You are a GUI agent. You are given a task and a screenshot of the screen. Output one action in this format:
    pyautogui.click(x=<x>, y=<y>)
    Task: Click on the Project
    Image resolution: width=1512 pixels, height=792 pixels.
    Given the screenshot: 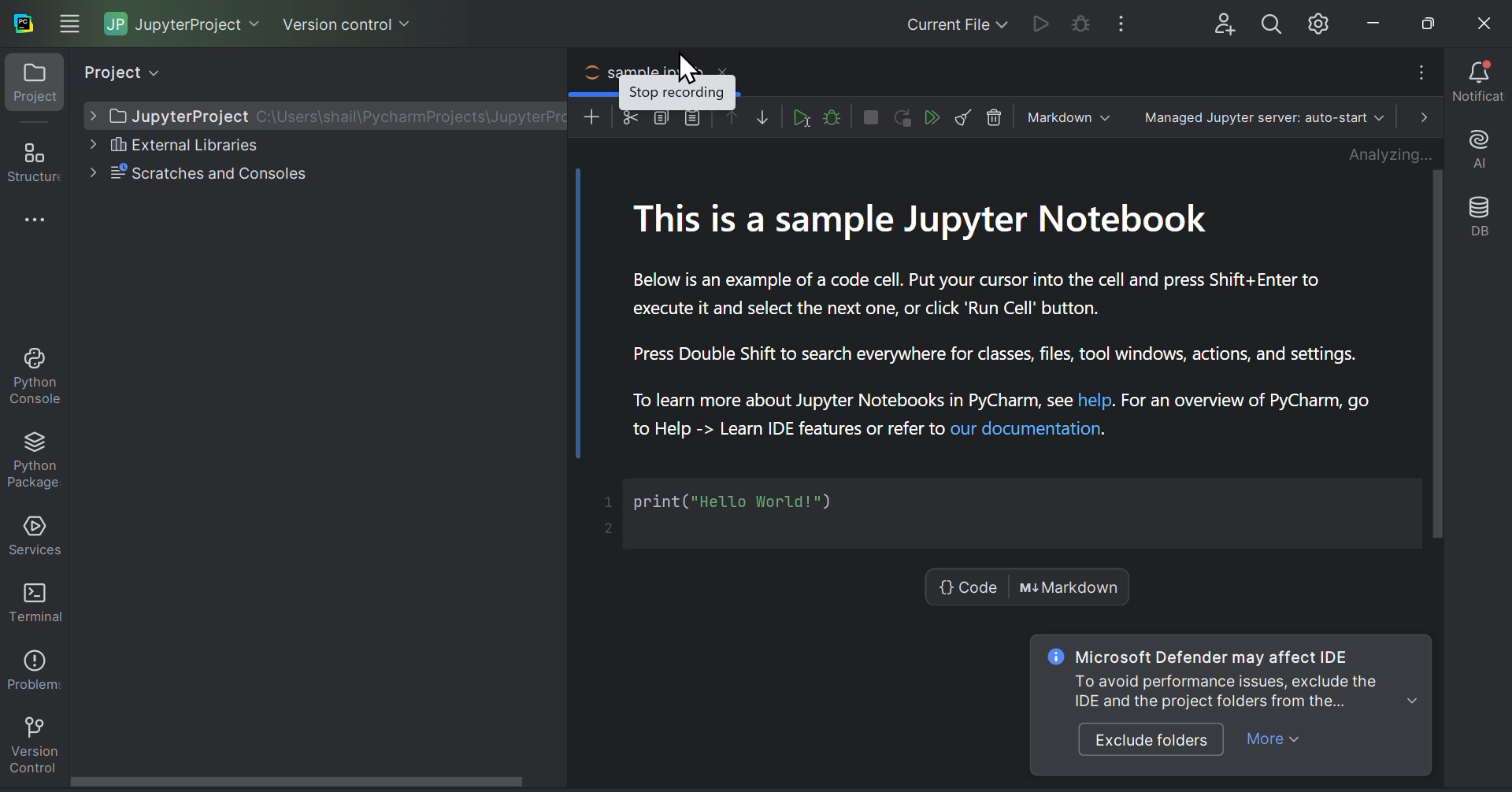 What is the action you would take?
    pyautogui.click(x=1007, y=375)
    